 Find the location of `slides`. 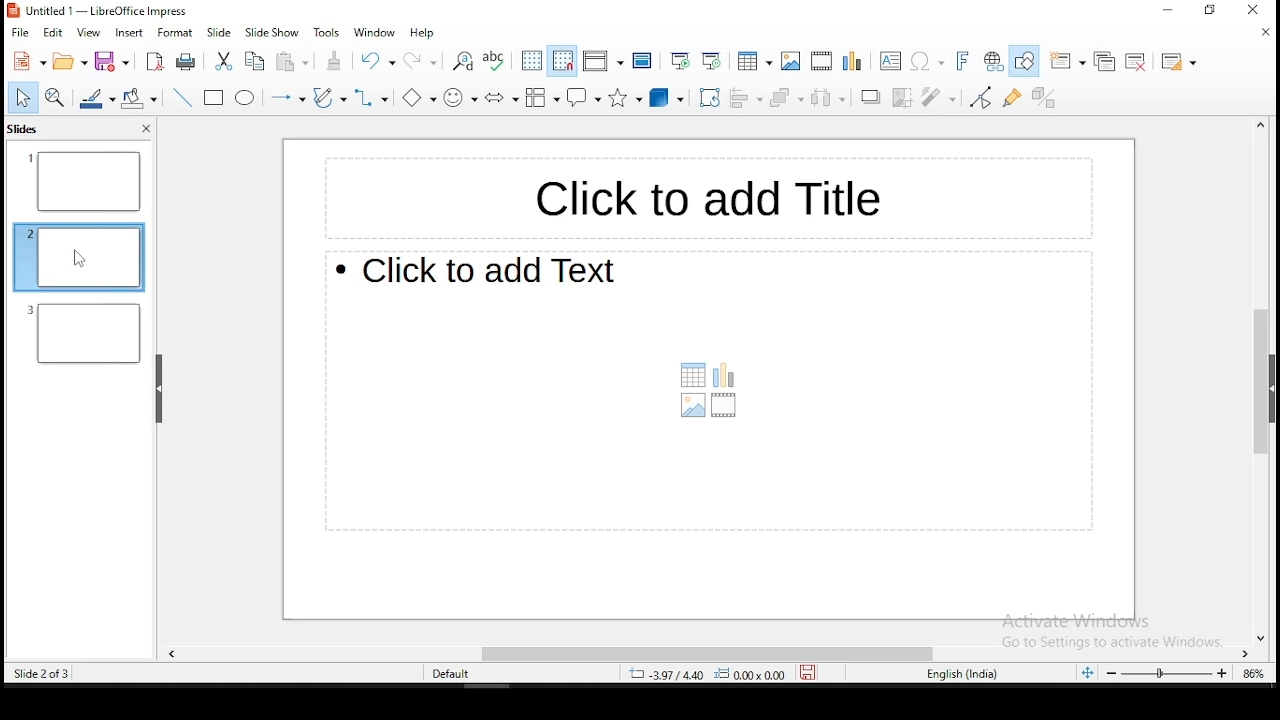

slides is located at coordinates (24, 131).